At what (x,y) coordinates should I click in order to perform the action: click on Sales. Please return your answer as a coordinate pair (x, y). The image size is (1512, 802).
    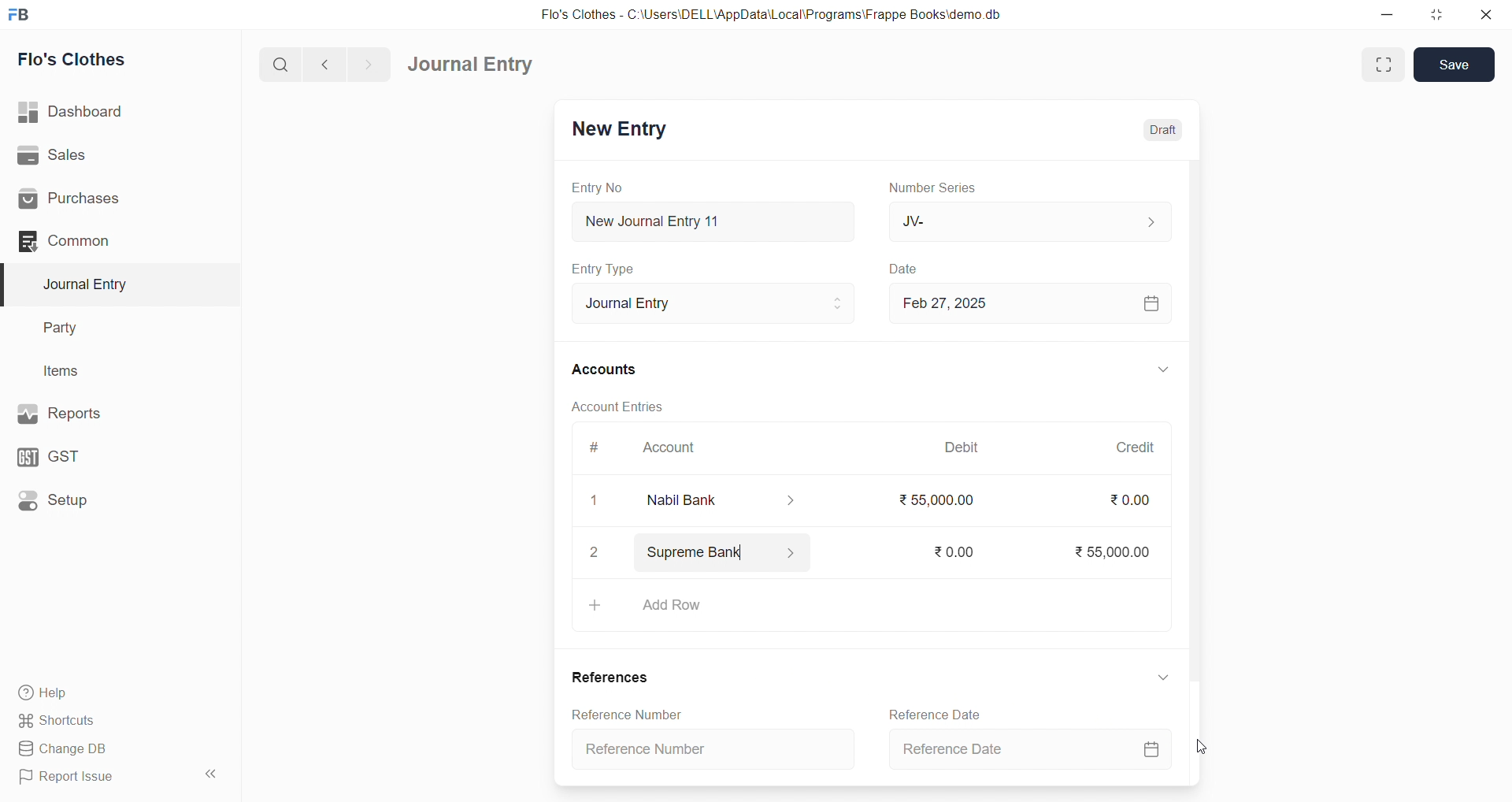
    Looking at the image, I should click on (94, 154).